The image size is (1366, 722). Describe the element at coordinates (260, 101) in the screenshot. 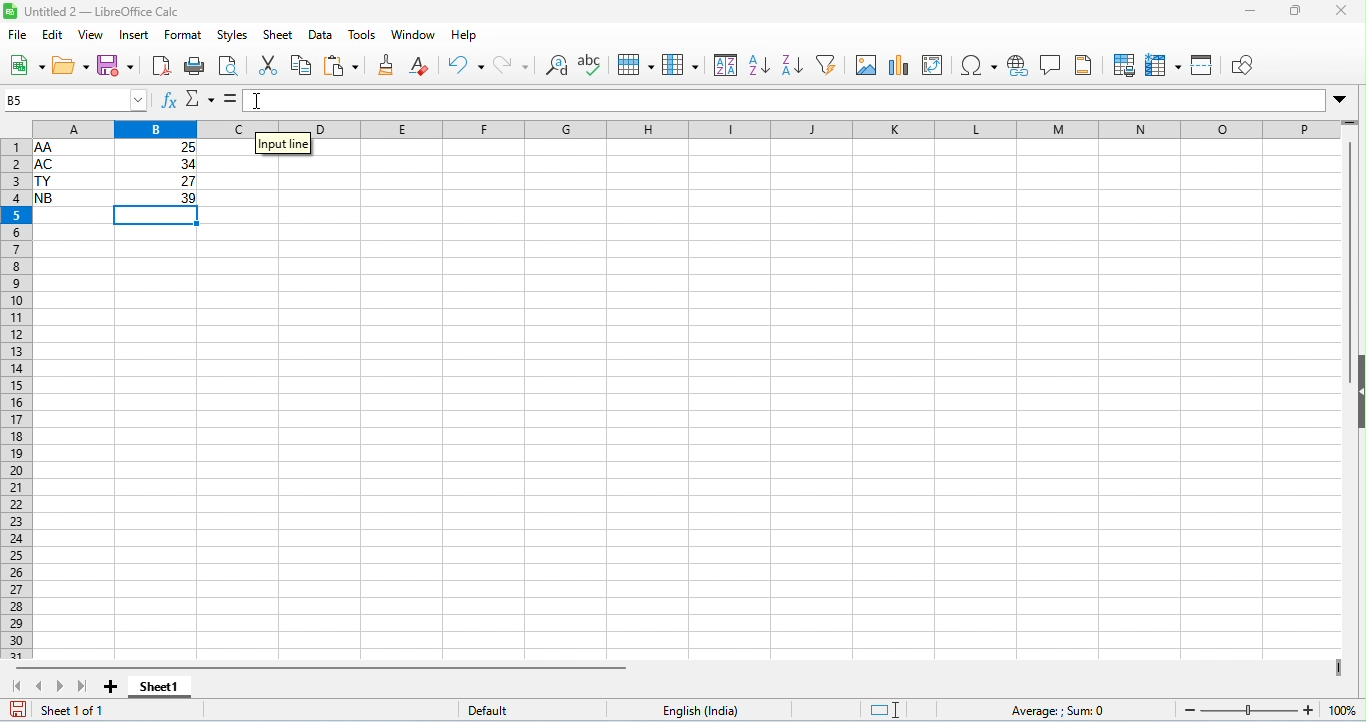

I see `cursor` at that location.